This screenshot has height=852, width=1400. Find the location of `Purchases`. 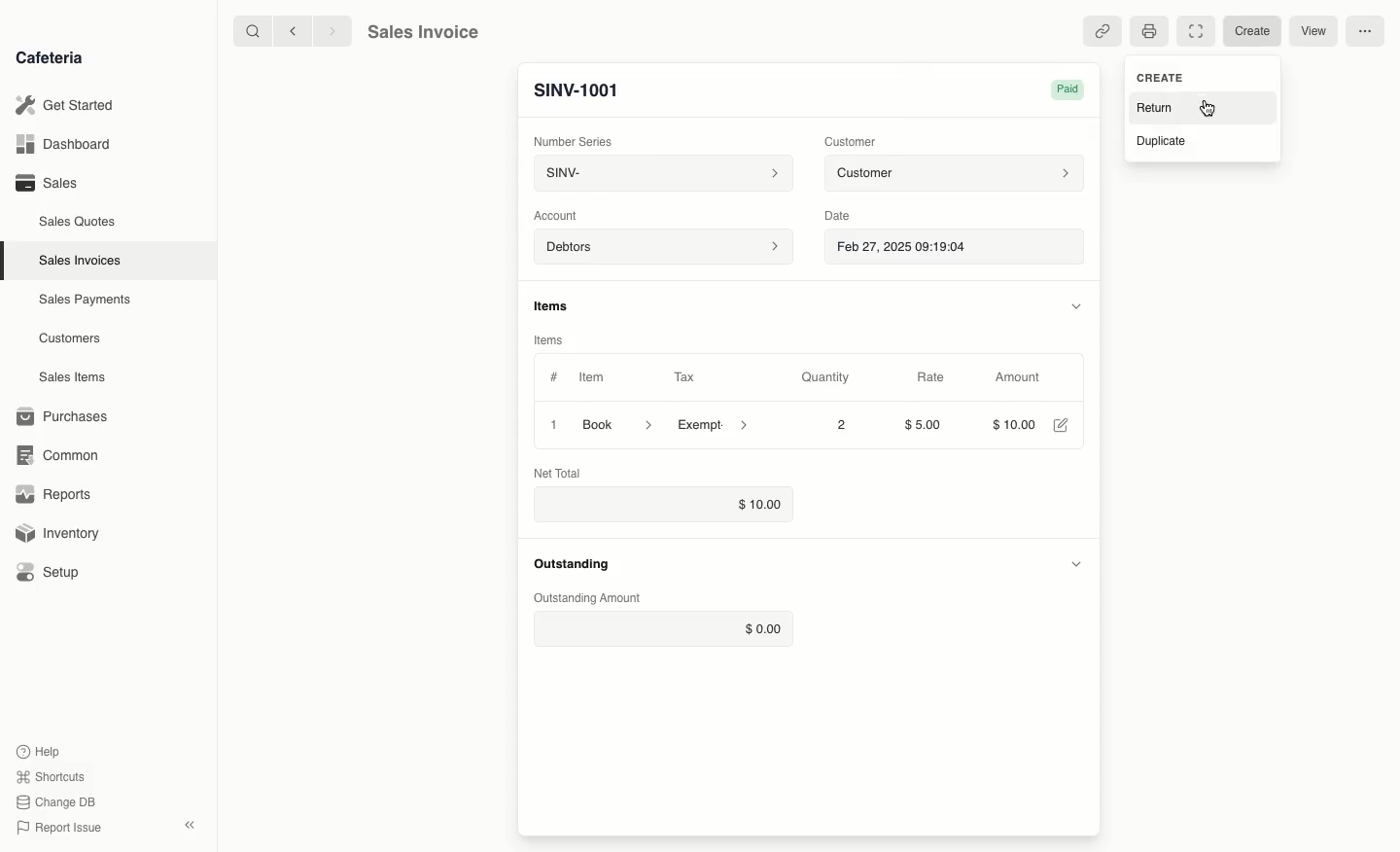

Purchases is located at coordinates (67, 416).